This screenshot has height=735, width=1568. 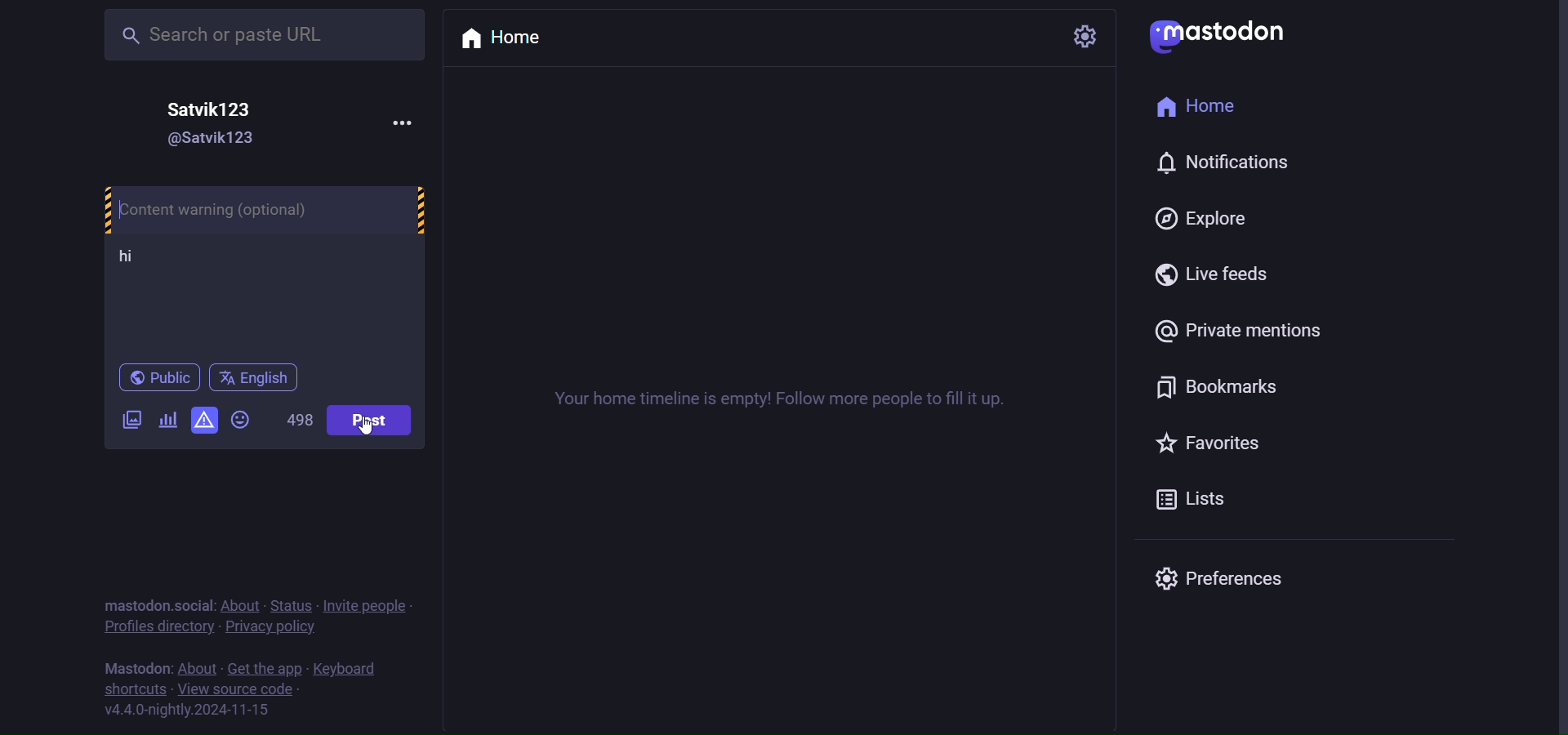 What do you see at coordinates (1202, 218) in the screenshot?
I see `explore` at bounding box center [1202, 218].